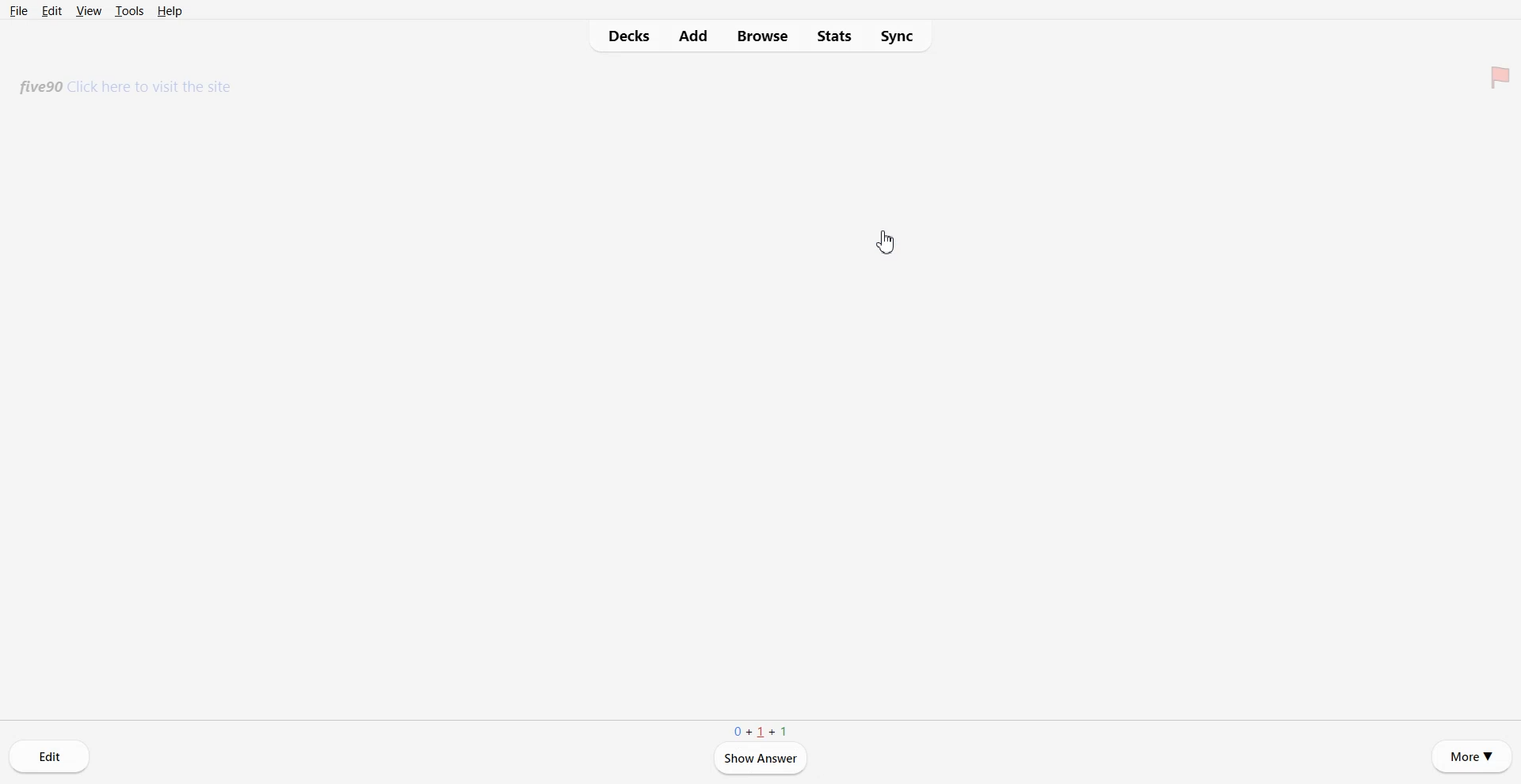 The width and height of the screenshot is (1521, 784). Describe the element at coordinates (19, 11) in the screenshot. I see `File` at that location.